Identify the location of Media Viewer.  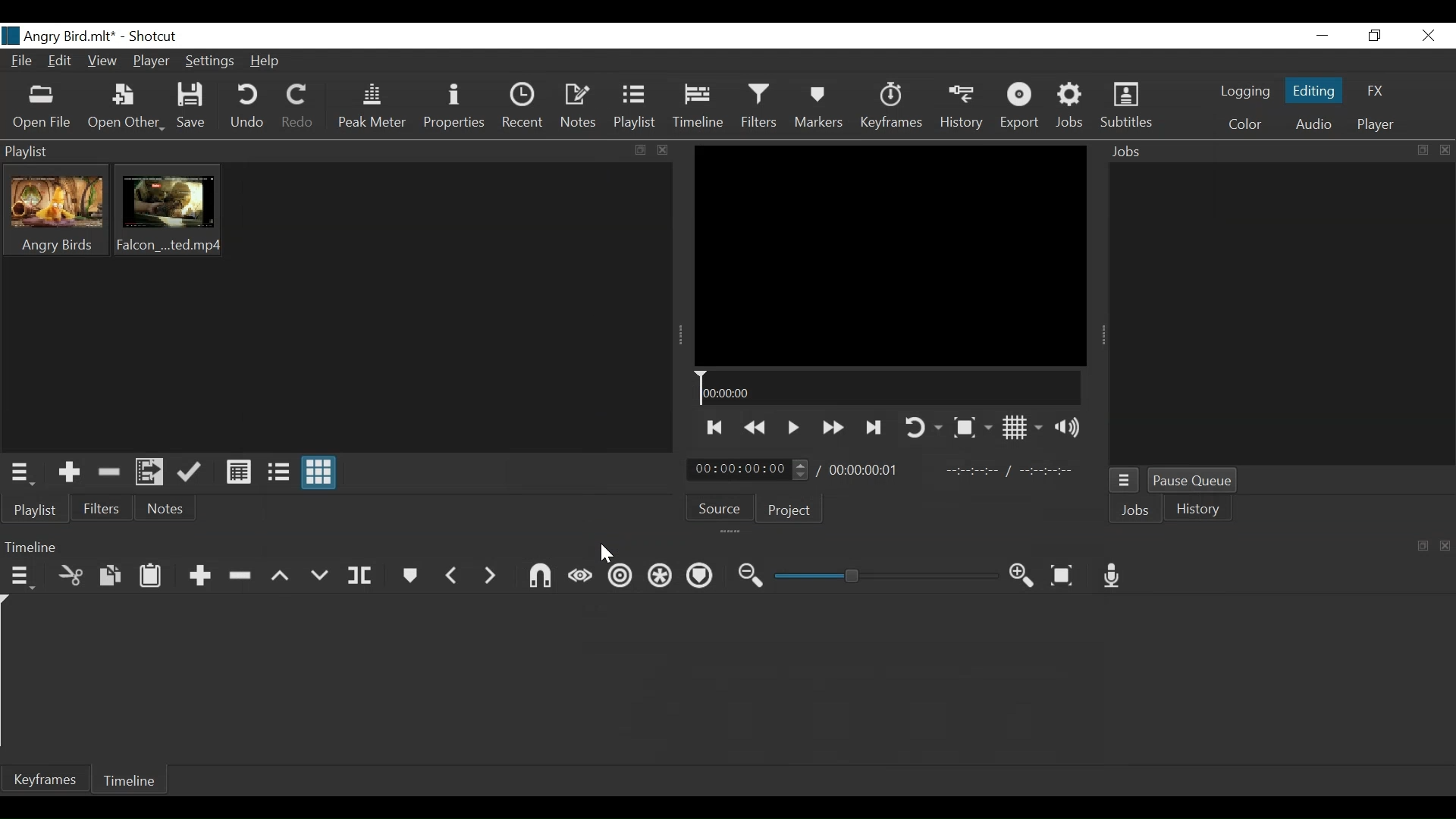
(889, 254).